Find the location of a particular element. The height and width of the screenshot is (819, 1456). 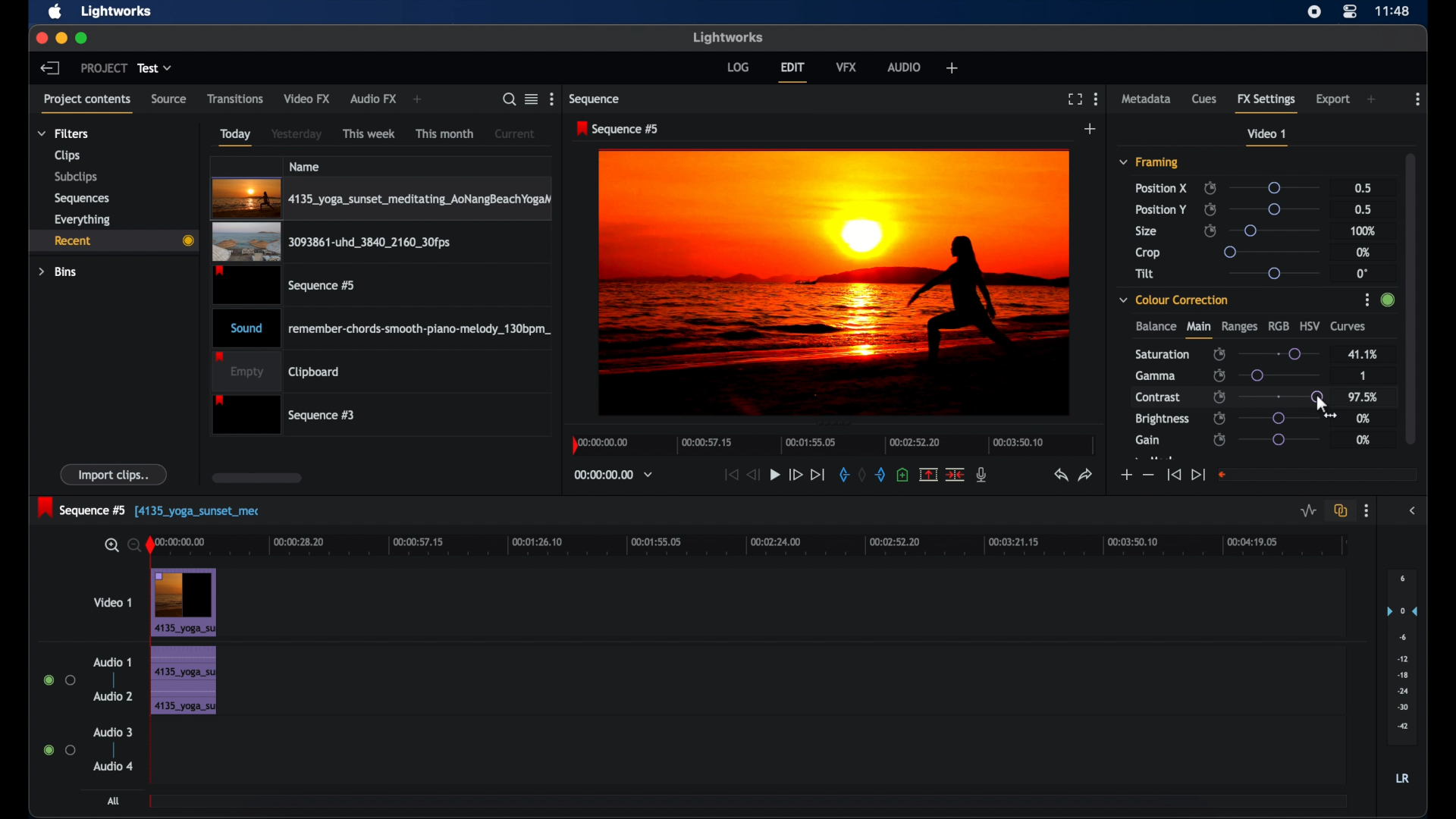

recent is located at coordinates (113, 240).